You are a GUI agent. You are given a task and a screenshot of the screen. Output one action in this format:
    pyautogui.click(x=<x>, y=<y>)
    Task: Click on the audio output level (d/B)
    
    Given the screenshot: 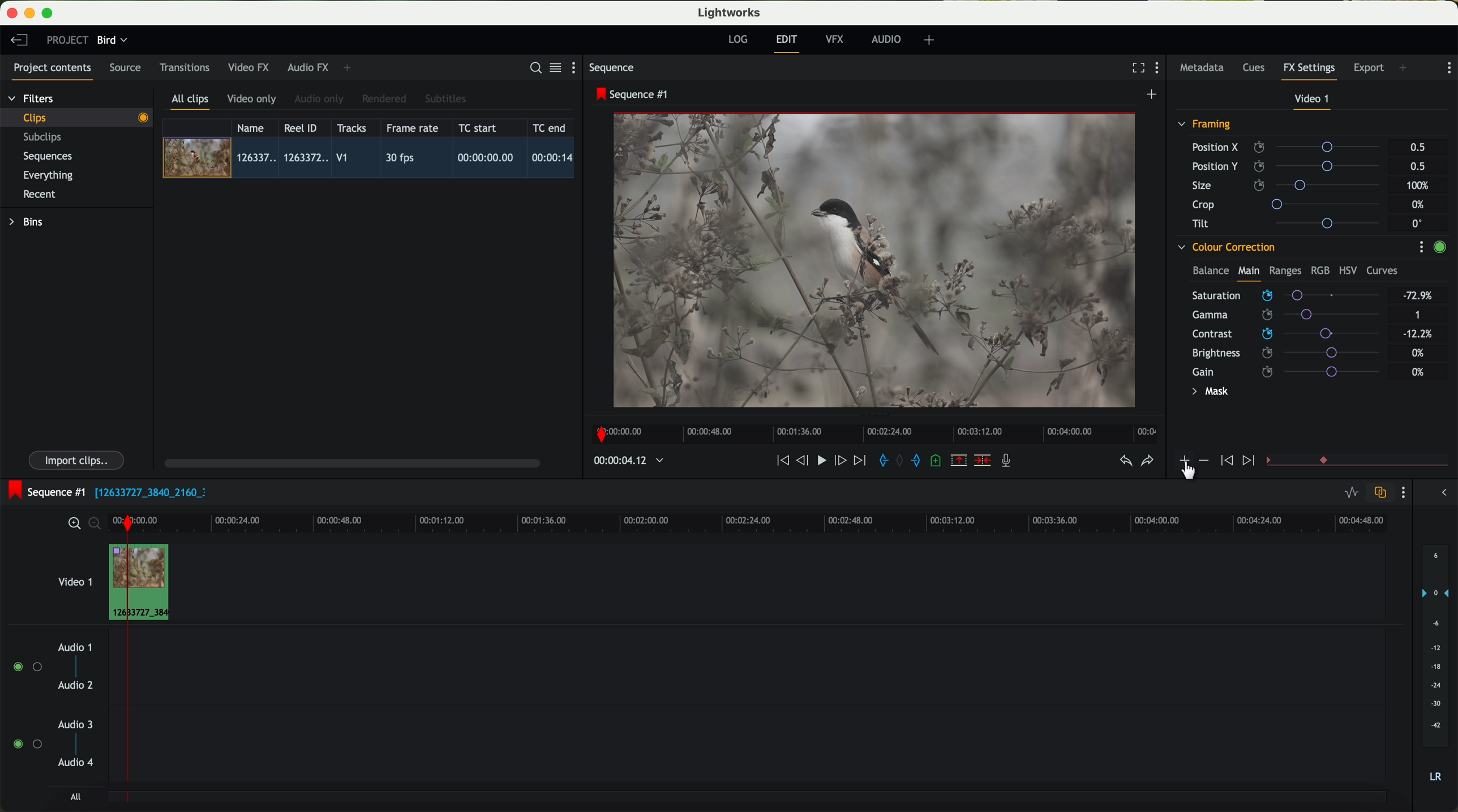 What is the action you would take?
    pyautogui.click(x=1436, y=667)
    